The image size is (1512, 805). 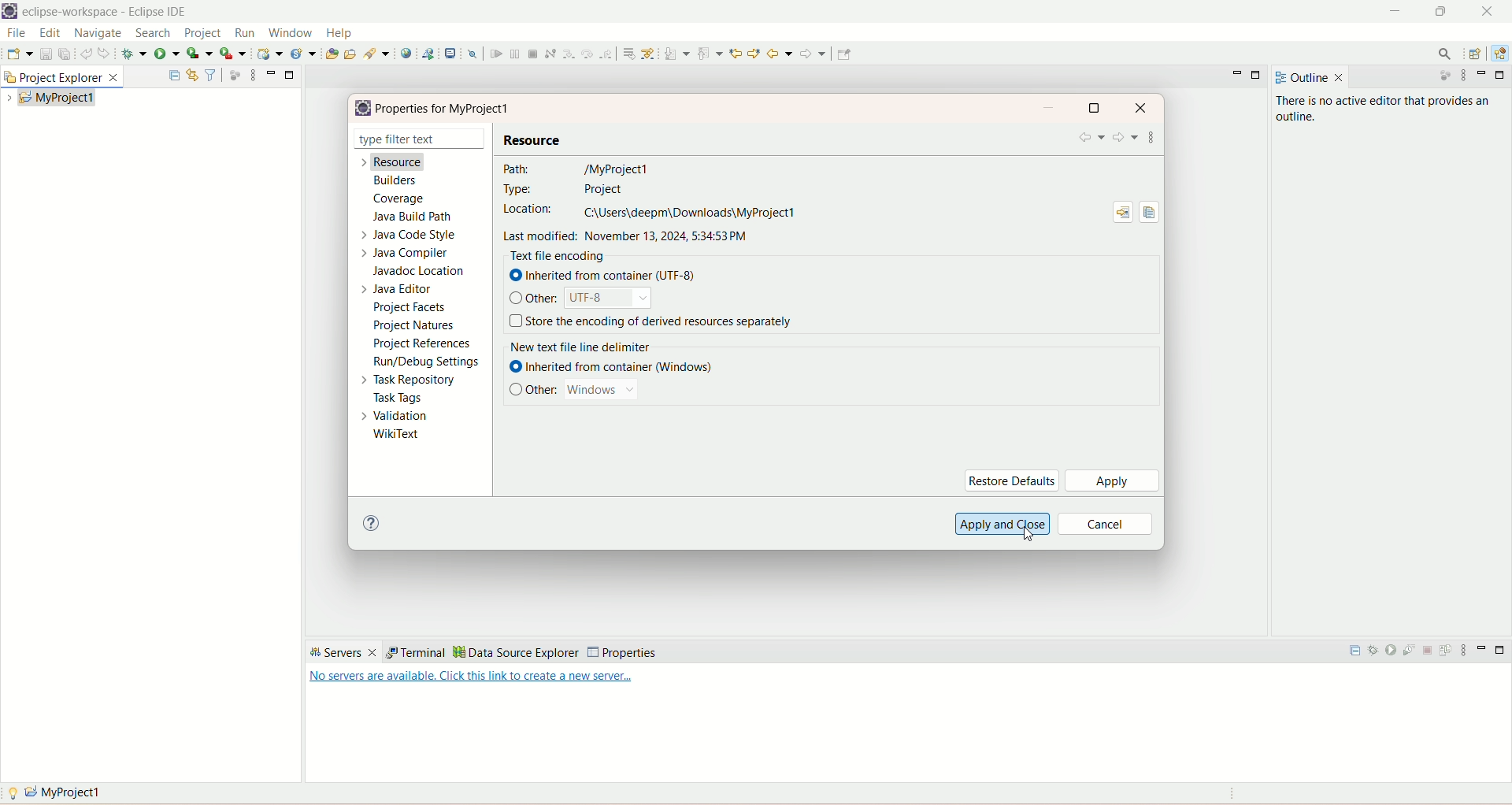 I want to click on link with editor, so click(x=192, y=73).